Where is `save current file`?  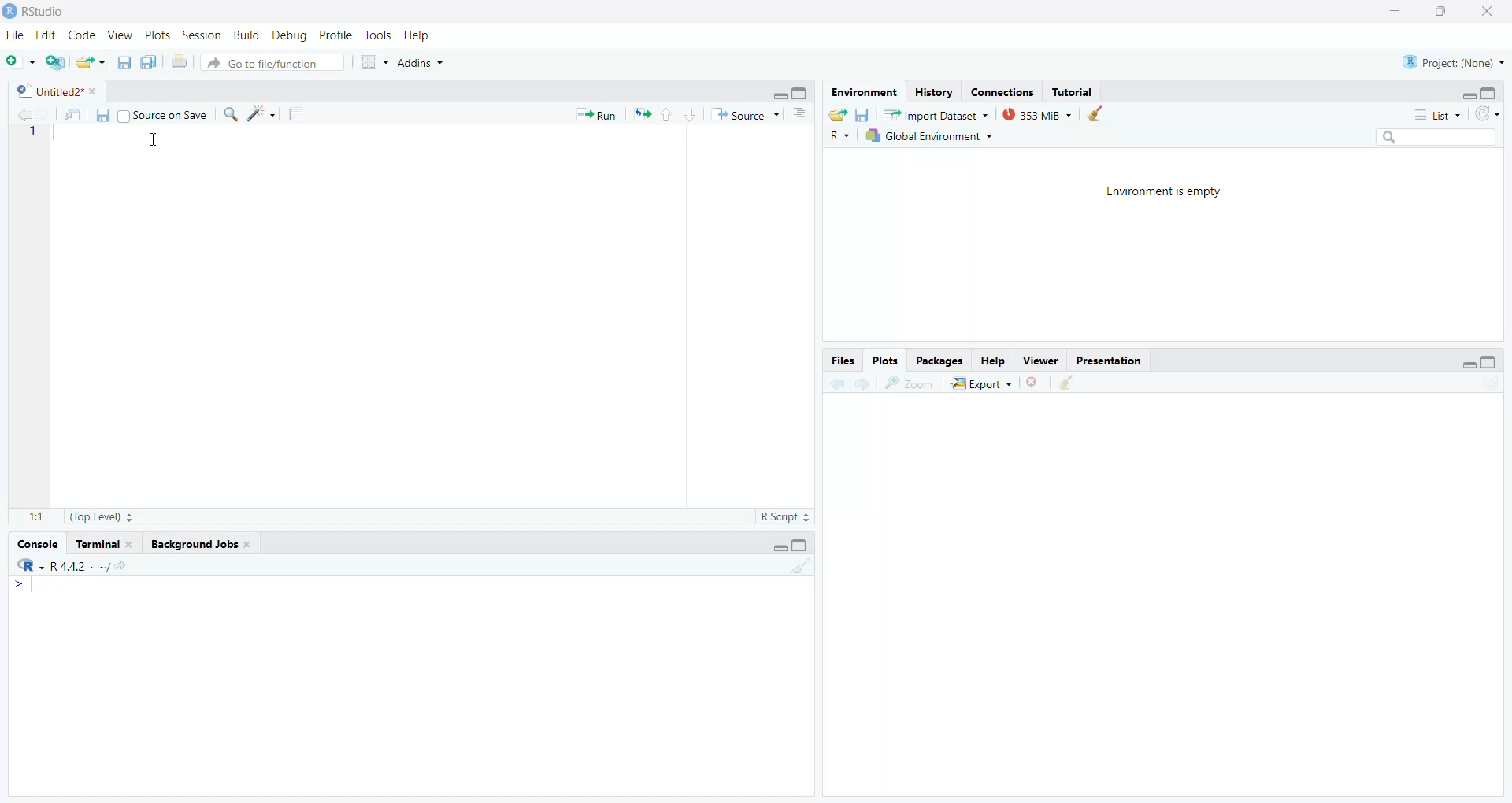 save current file is located at coordinates (125, 63).